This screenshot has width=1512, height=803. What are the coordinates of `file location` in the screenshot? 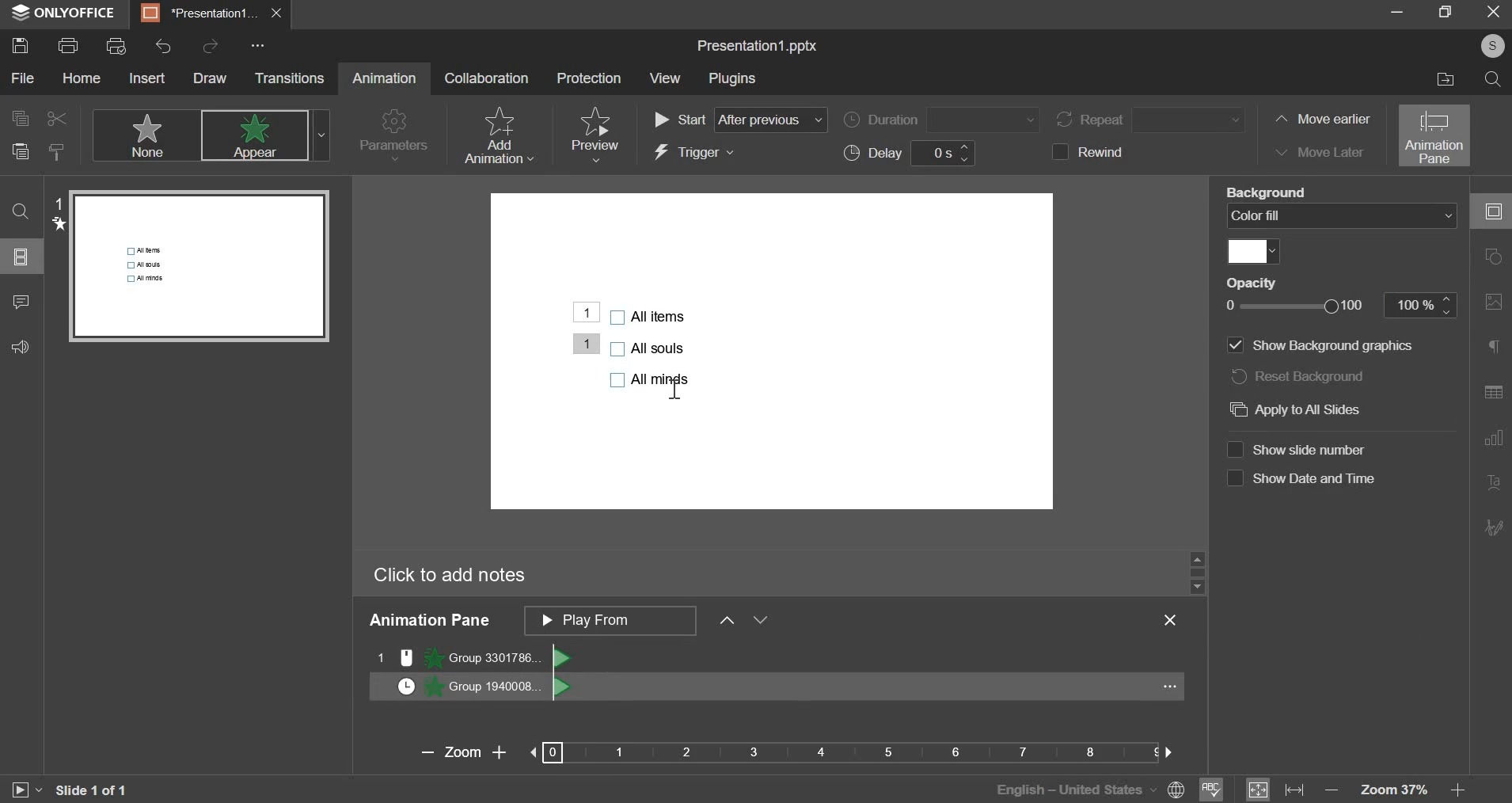 It's located at (1439, 79).